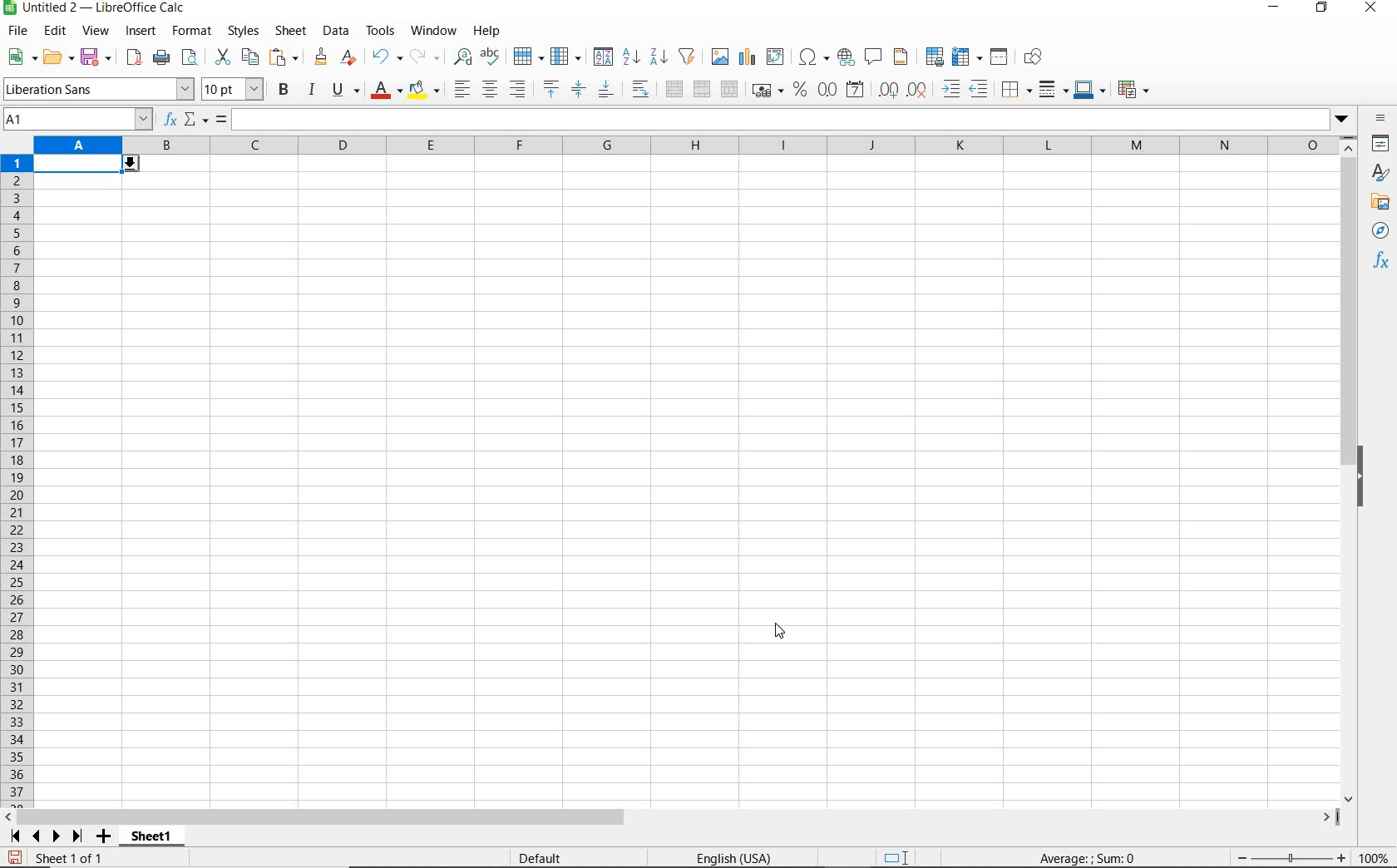  What do you see at coordinates (311, 90) in the screenshot?
I see `italic` at bounding box center [311, 90].